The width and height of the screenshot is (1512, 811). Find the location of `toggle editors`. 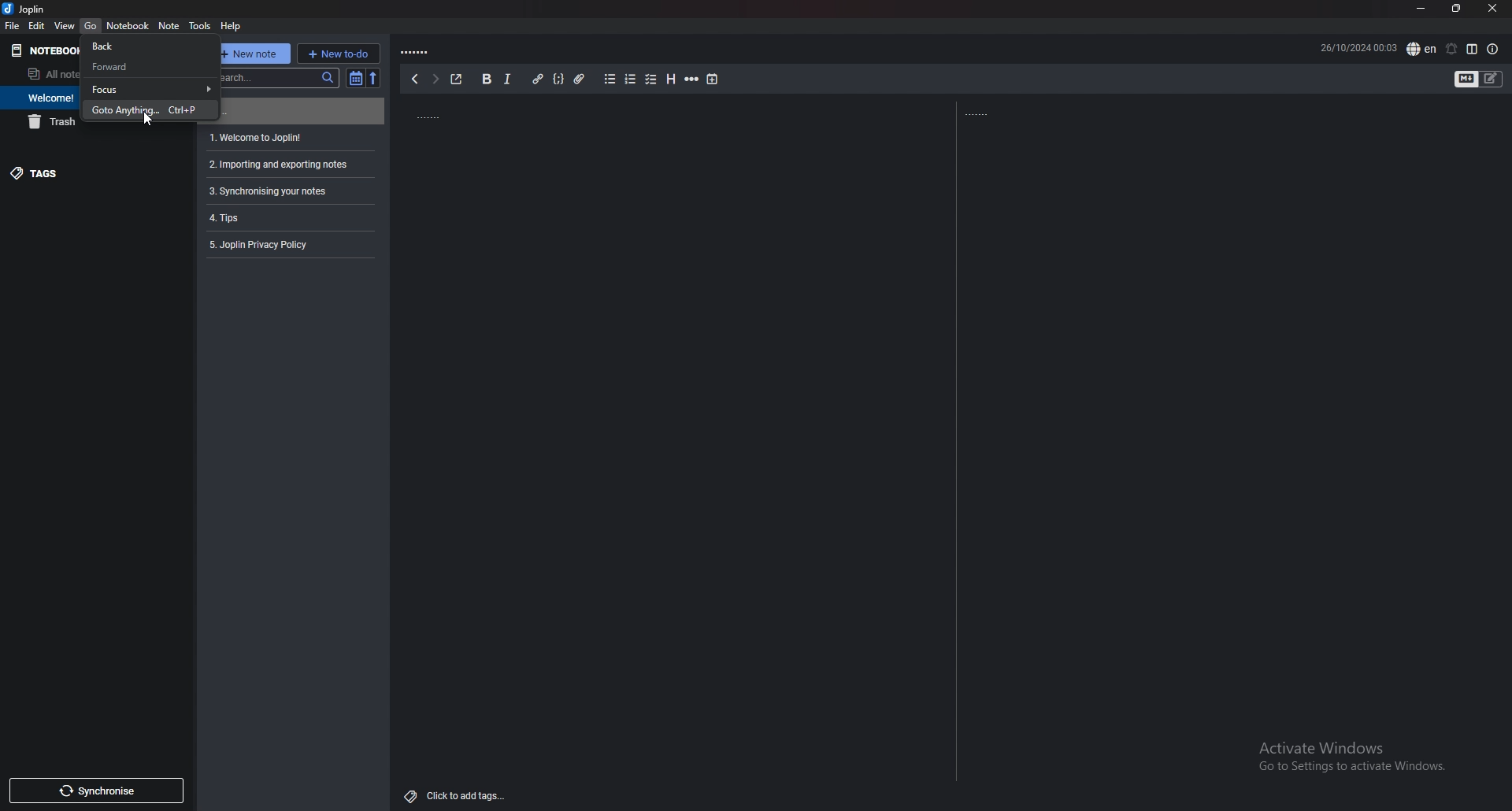

toggle editors is located at coordinates (1467, 80).